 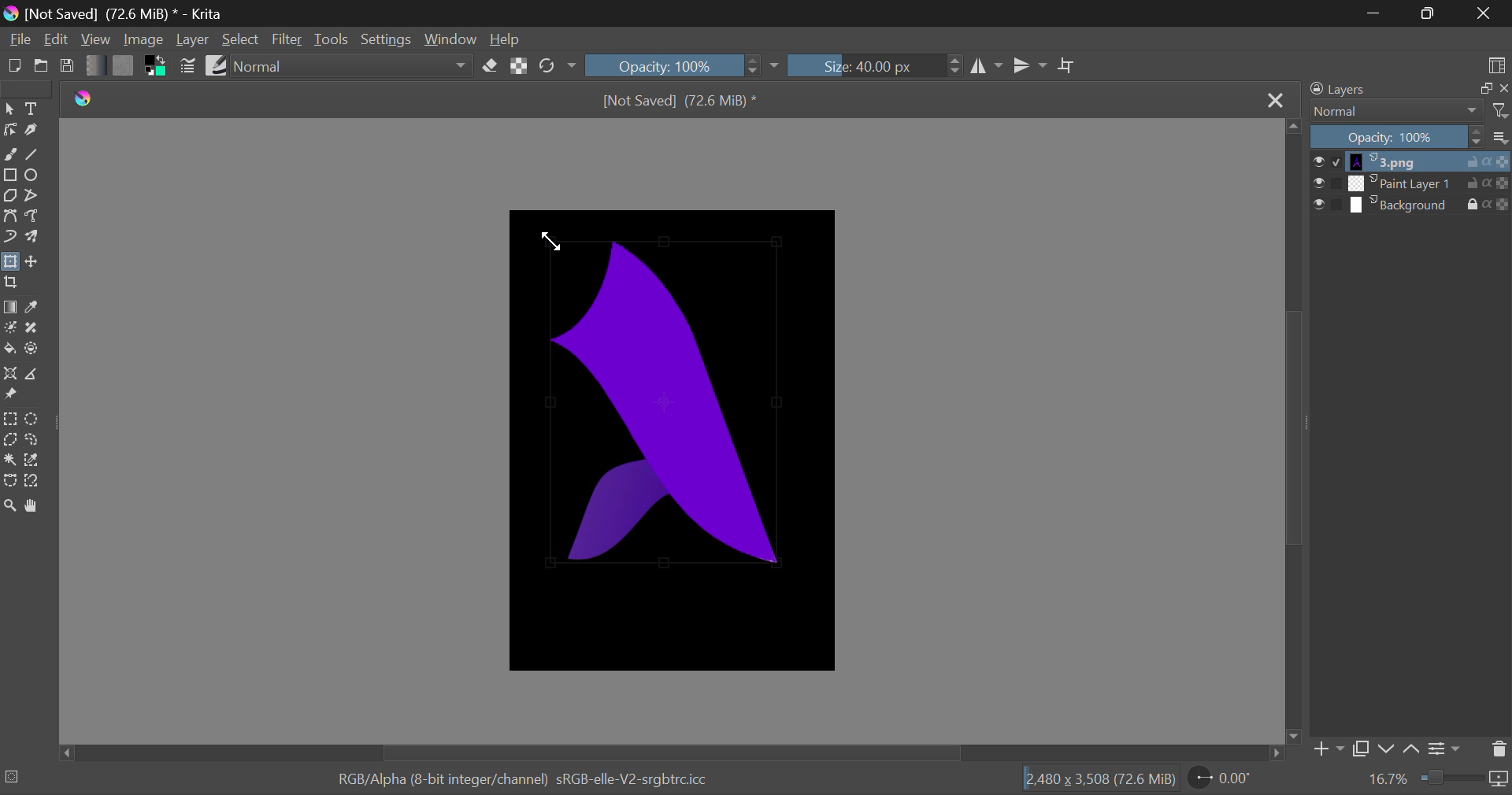 I want to click on Assistant Tool, so click(x=9, y=374).